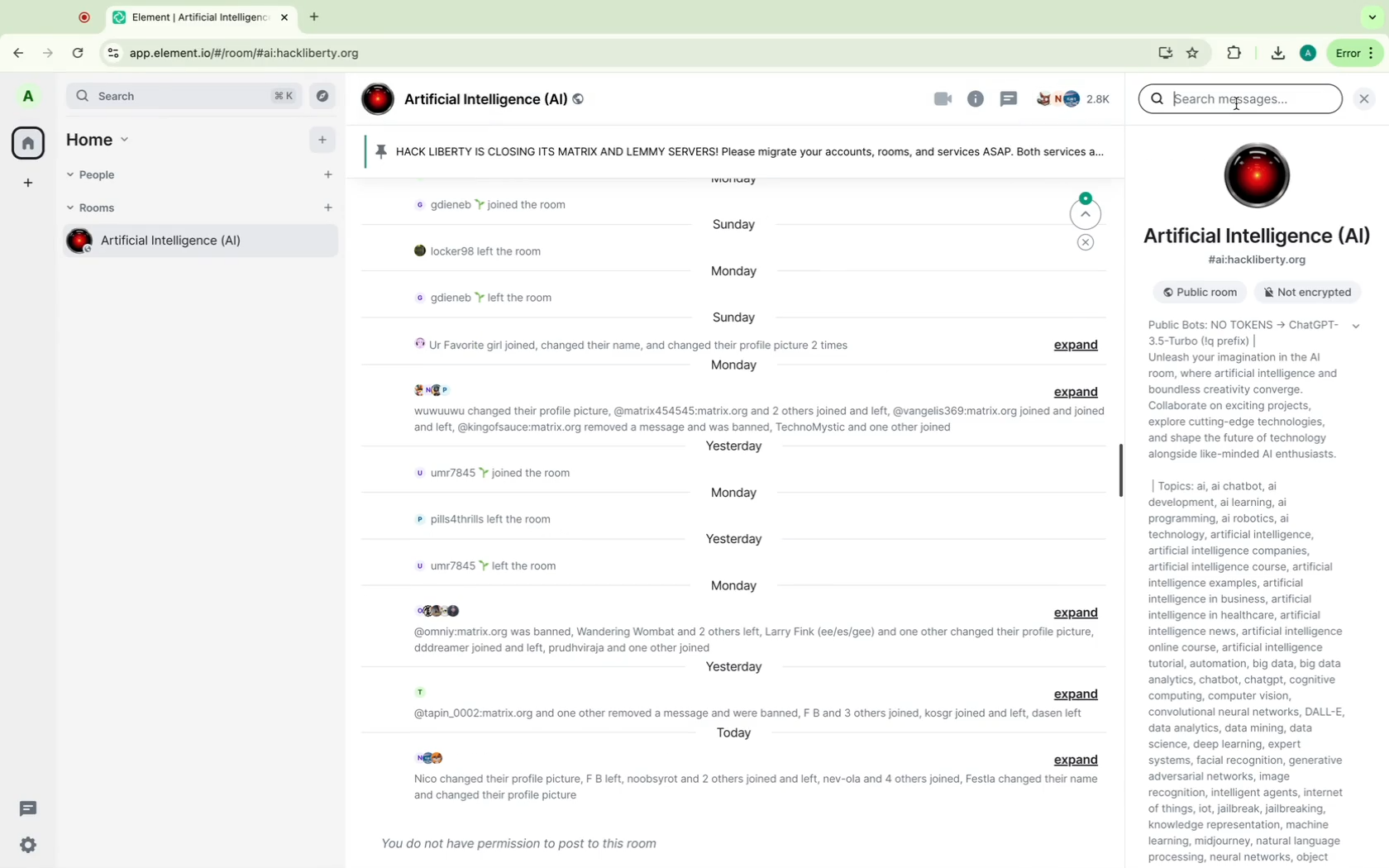  Describe the element at coordinates (328, 212) in the screenshot. I see `add room` at that location.